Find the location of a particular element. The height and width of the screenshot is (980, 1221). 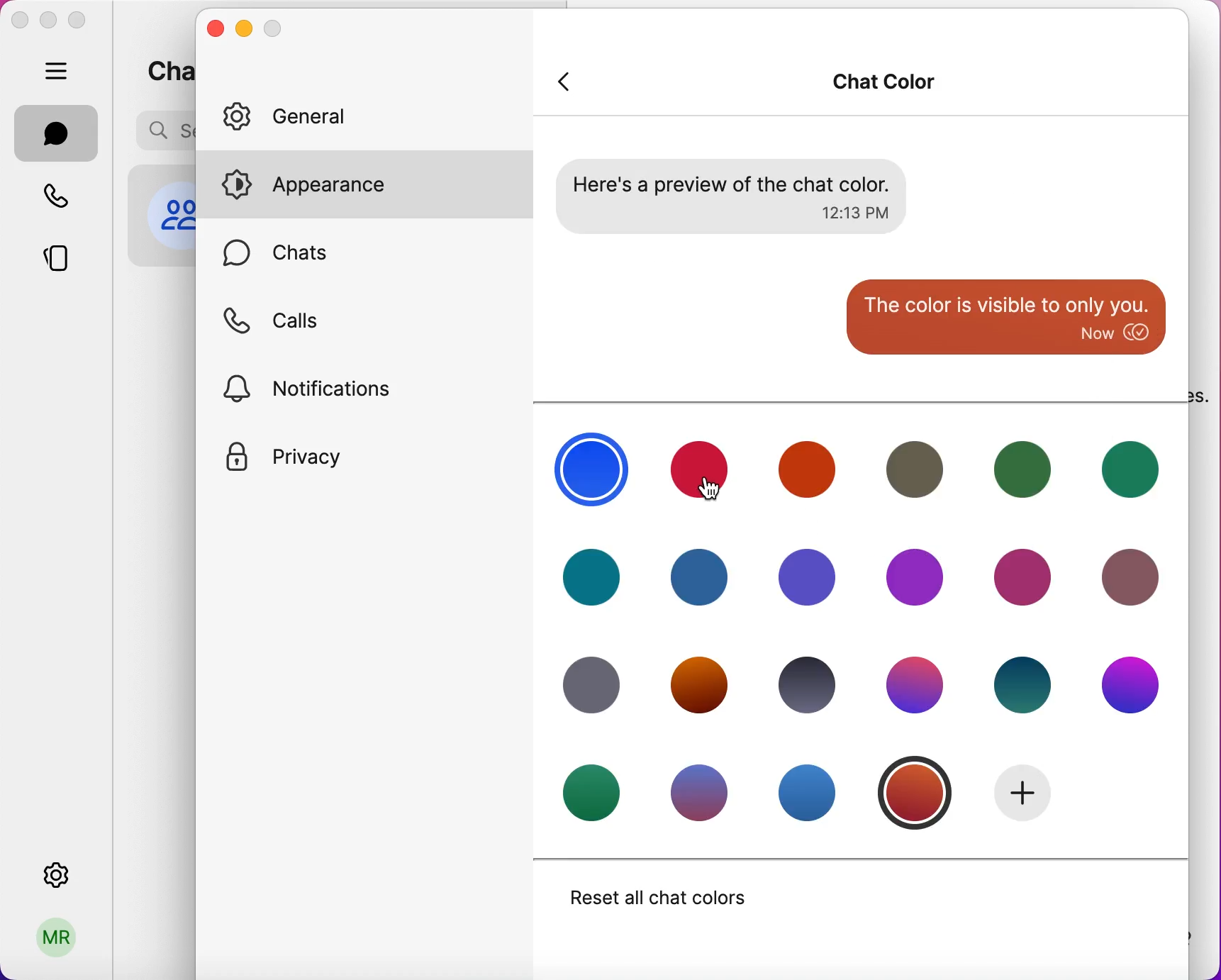

settings is located at coordinates (60, 871).